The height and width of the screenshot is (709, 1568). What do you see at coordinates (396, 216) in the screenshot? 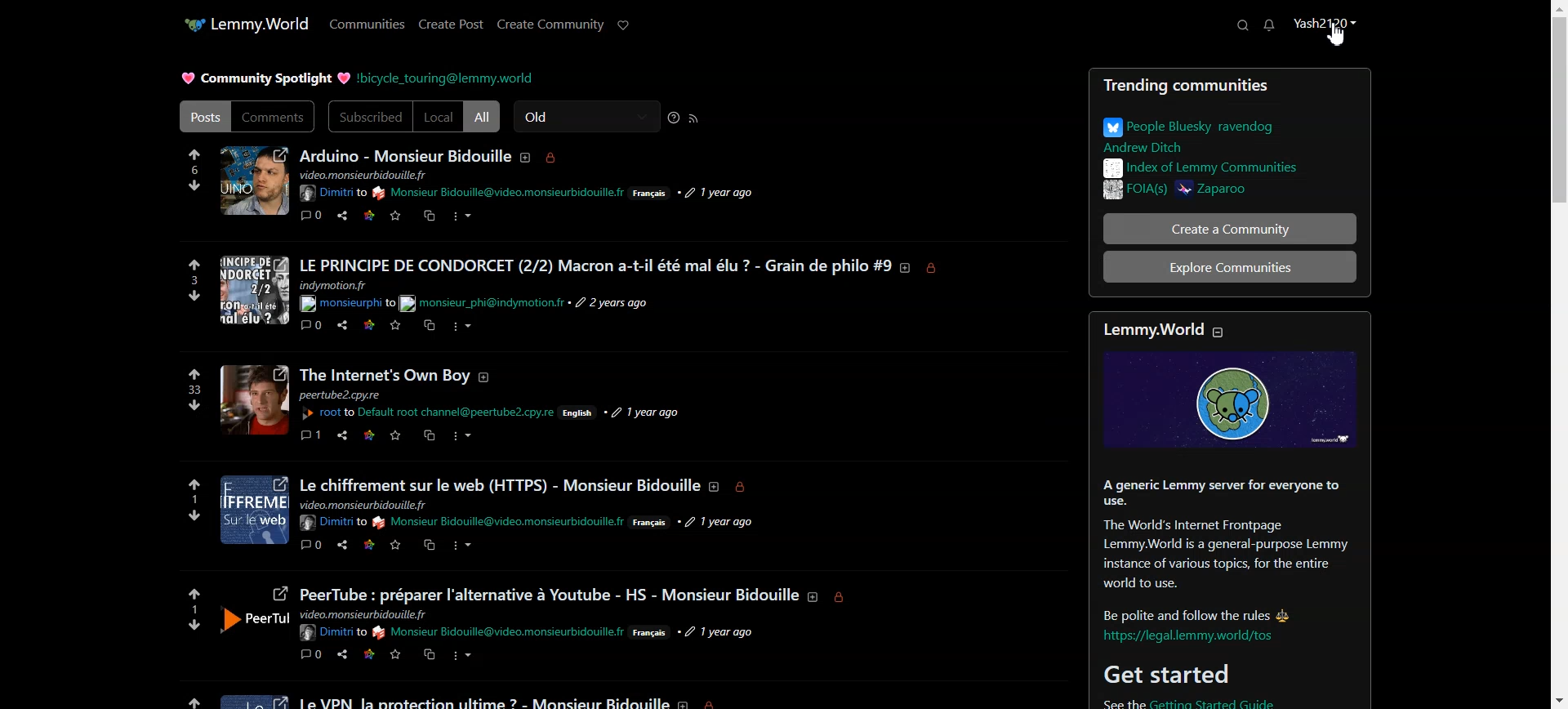
I see `Save` at bounding box center [396, 216].